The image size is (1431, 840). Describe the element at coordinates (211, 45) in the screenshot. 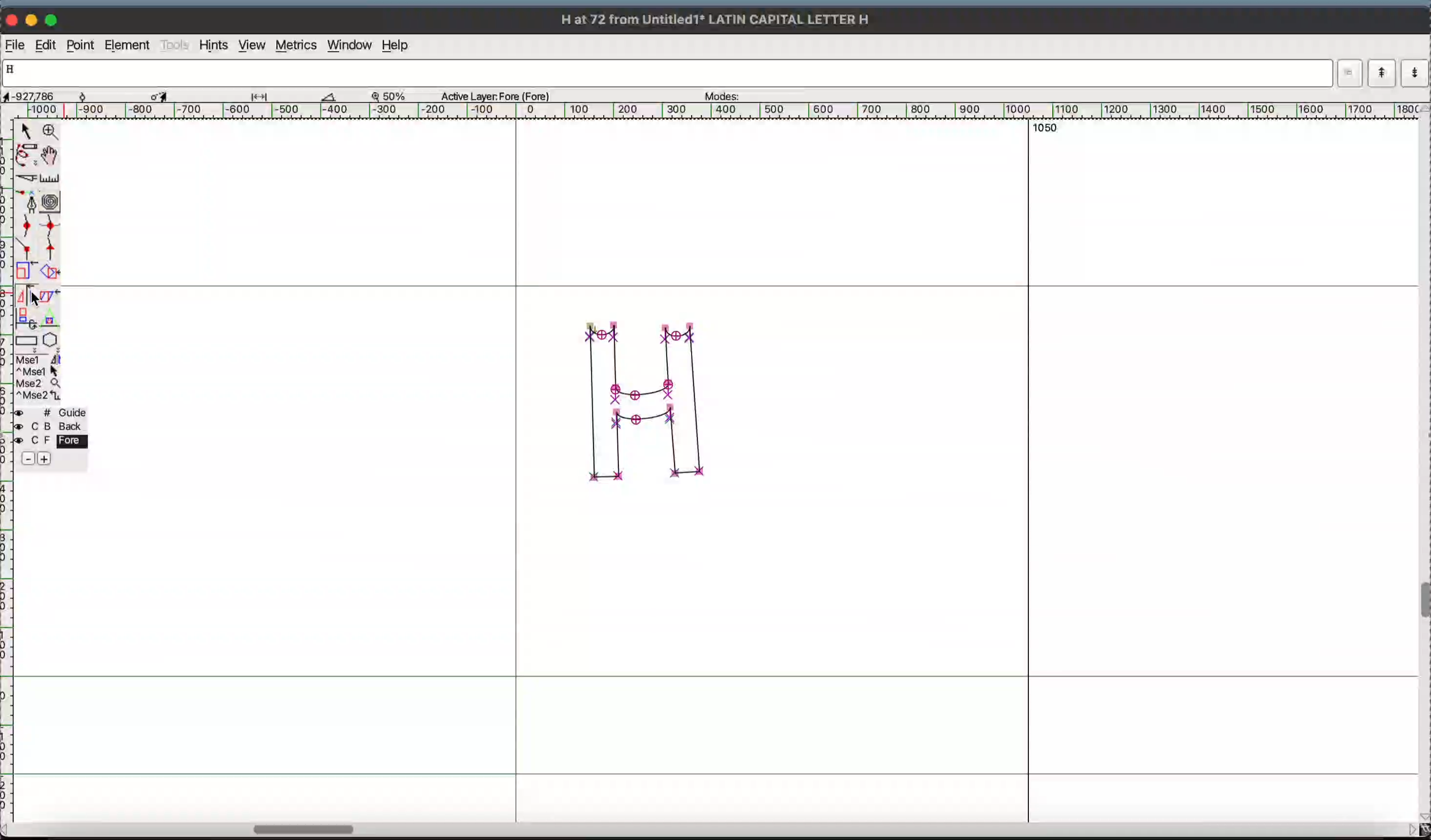

I see `hints` at that location.